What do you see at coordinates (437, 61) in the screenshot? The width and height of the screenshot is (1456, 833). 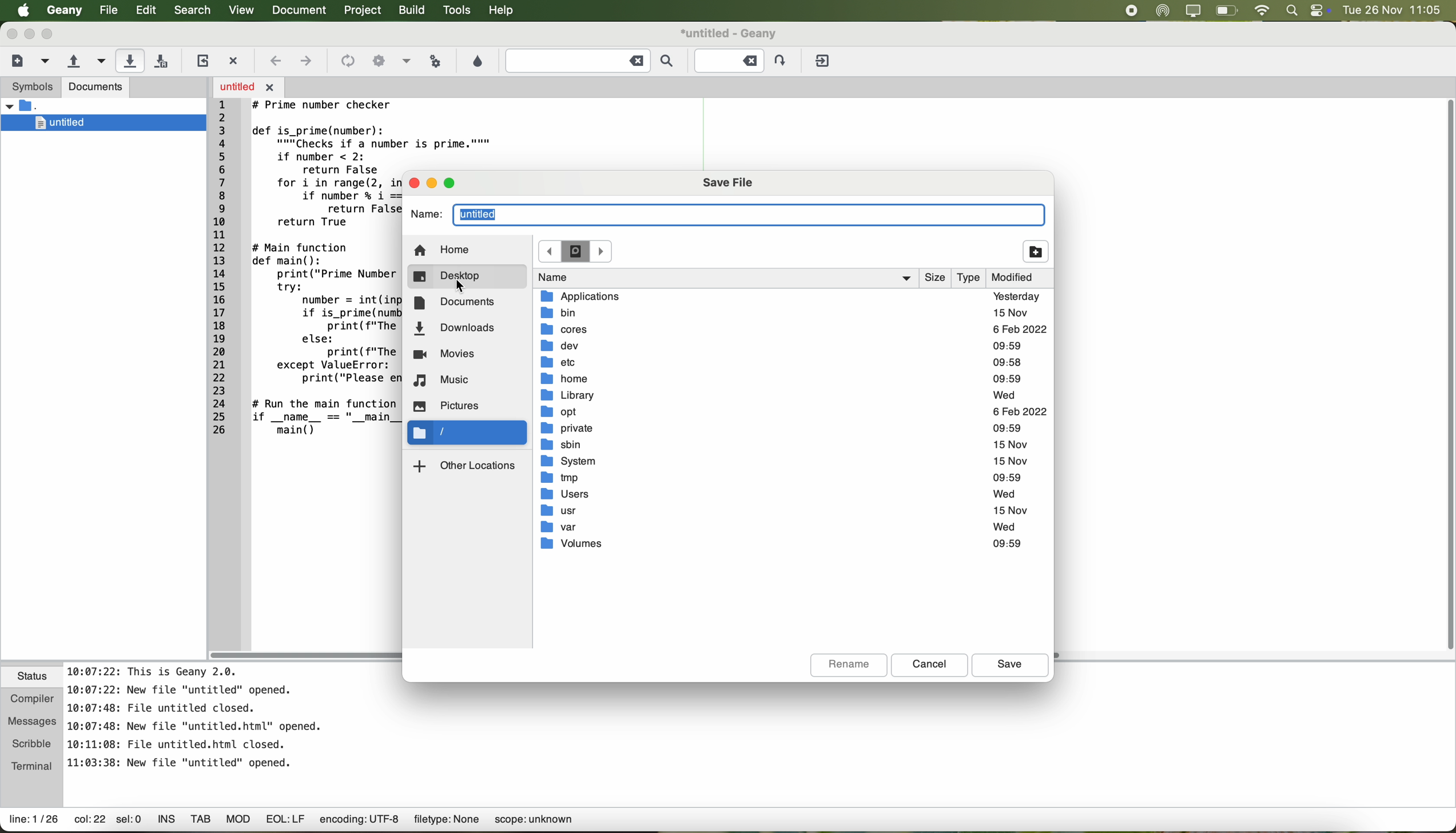 I see `run or view the current file` at bounding box center [437, 61].